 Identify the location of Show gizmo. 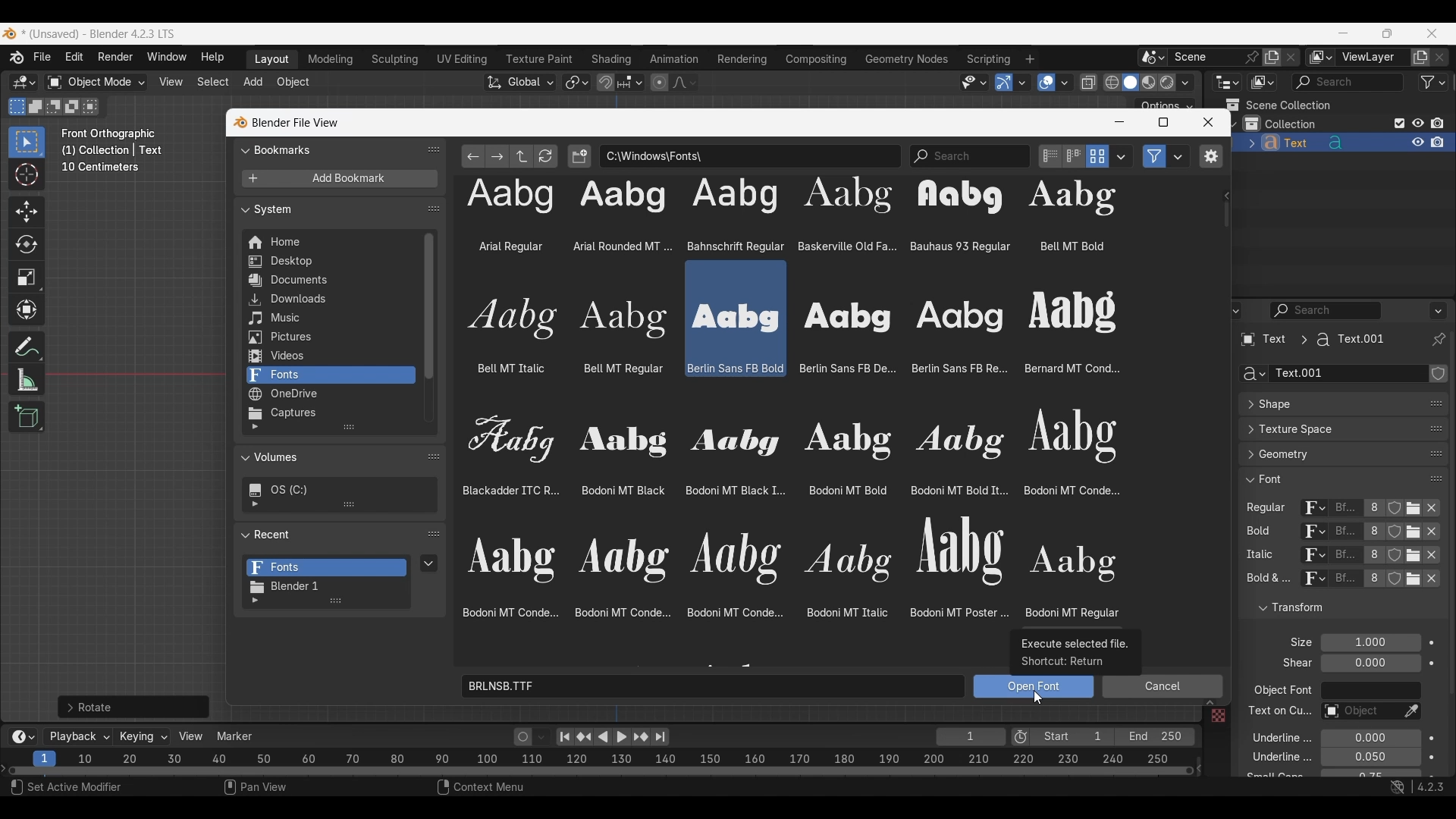
(1004, 83).